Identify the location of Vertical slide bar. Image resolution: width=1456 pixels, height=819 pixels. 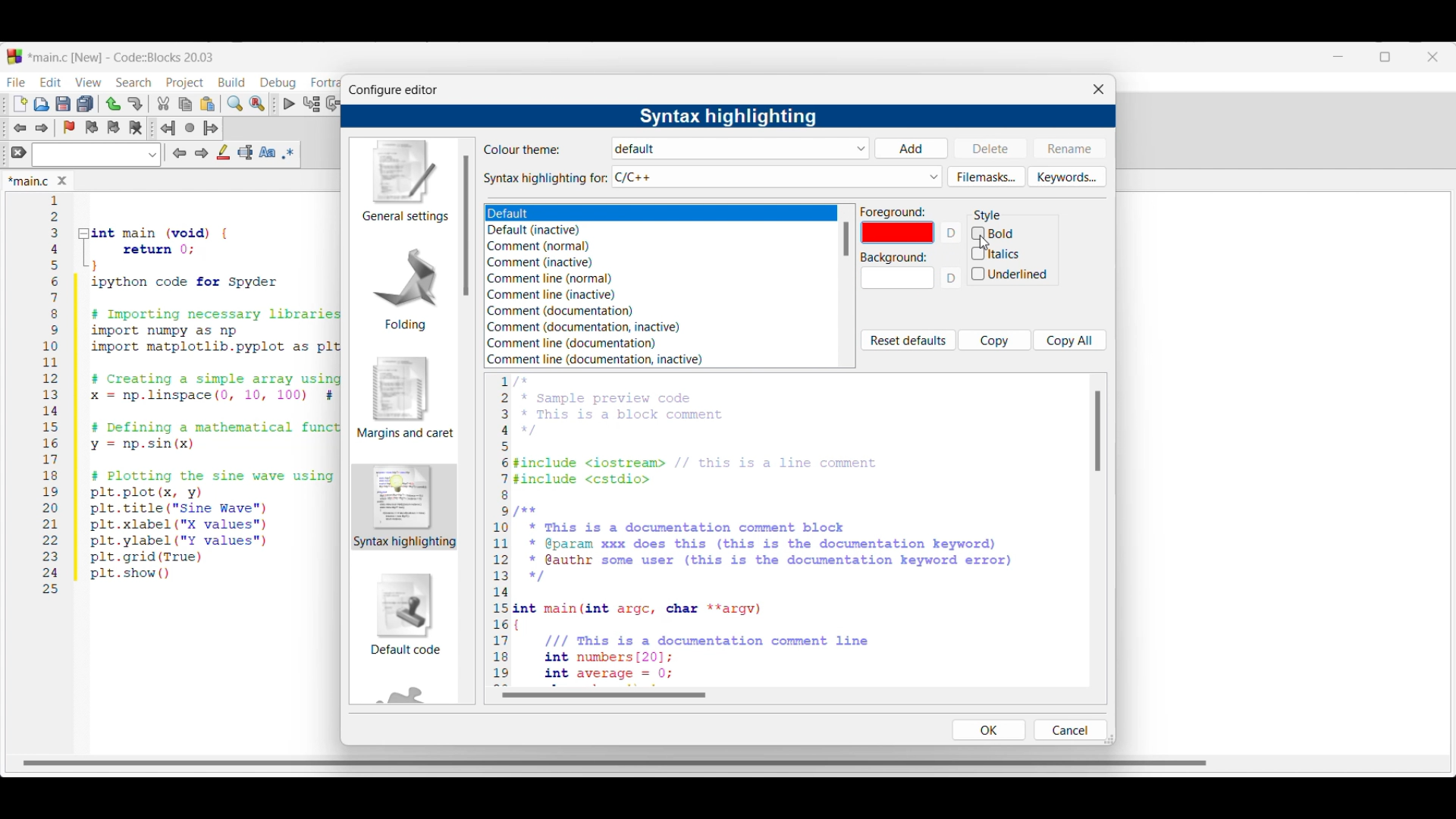
(1098, 431).